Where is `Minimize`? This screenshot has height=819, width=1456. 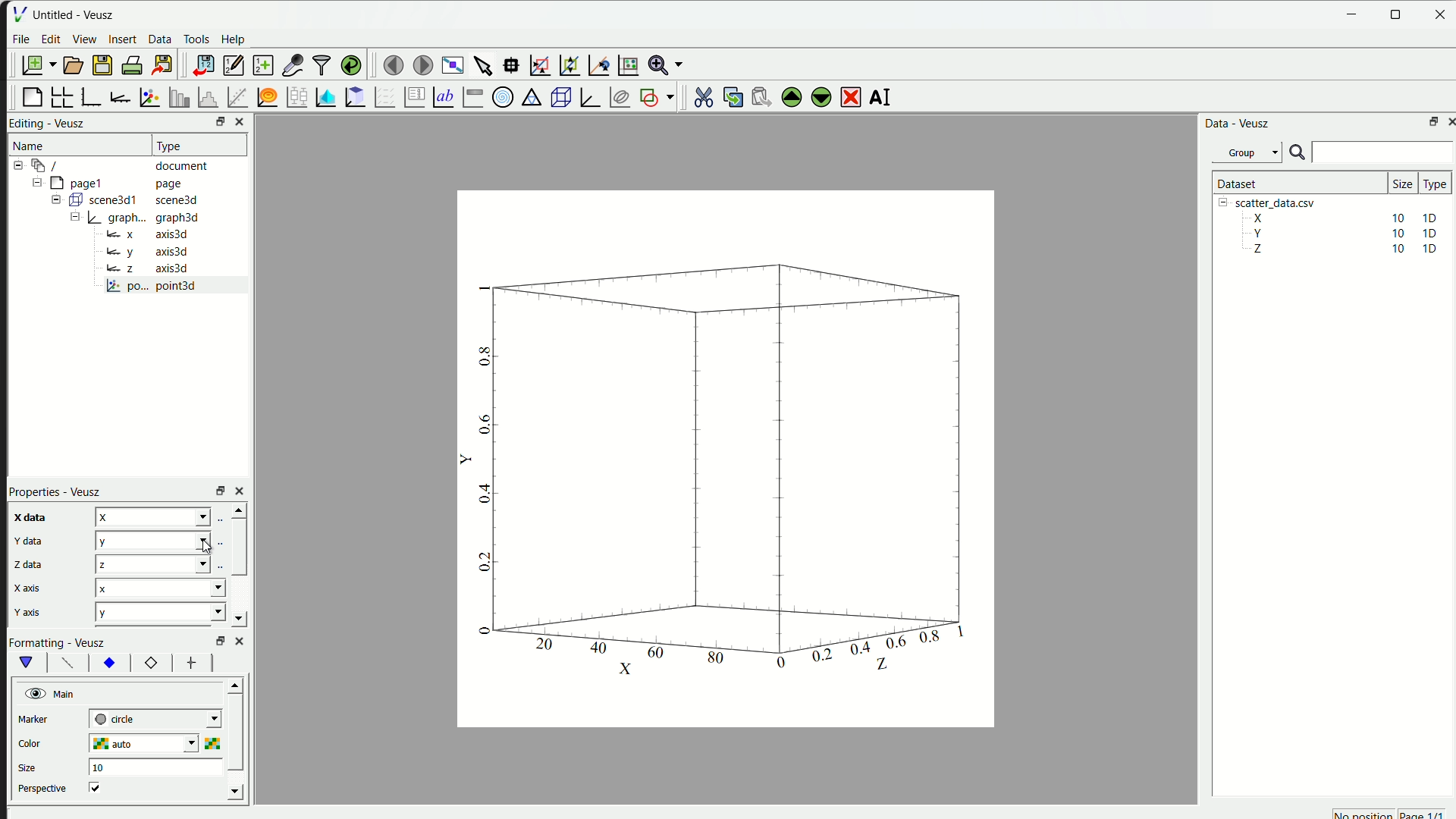
Minimize is located at coordinates (1353, 14).